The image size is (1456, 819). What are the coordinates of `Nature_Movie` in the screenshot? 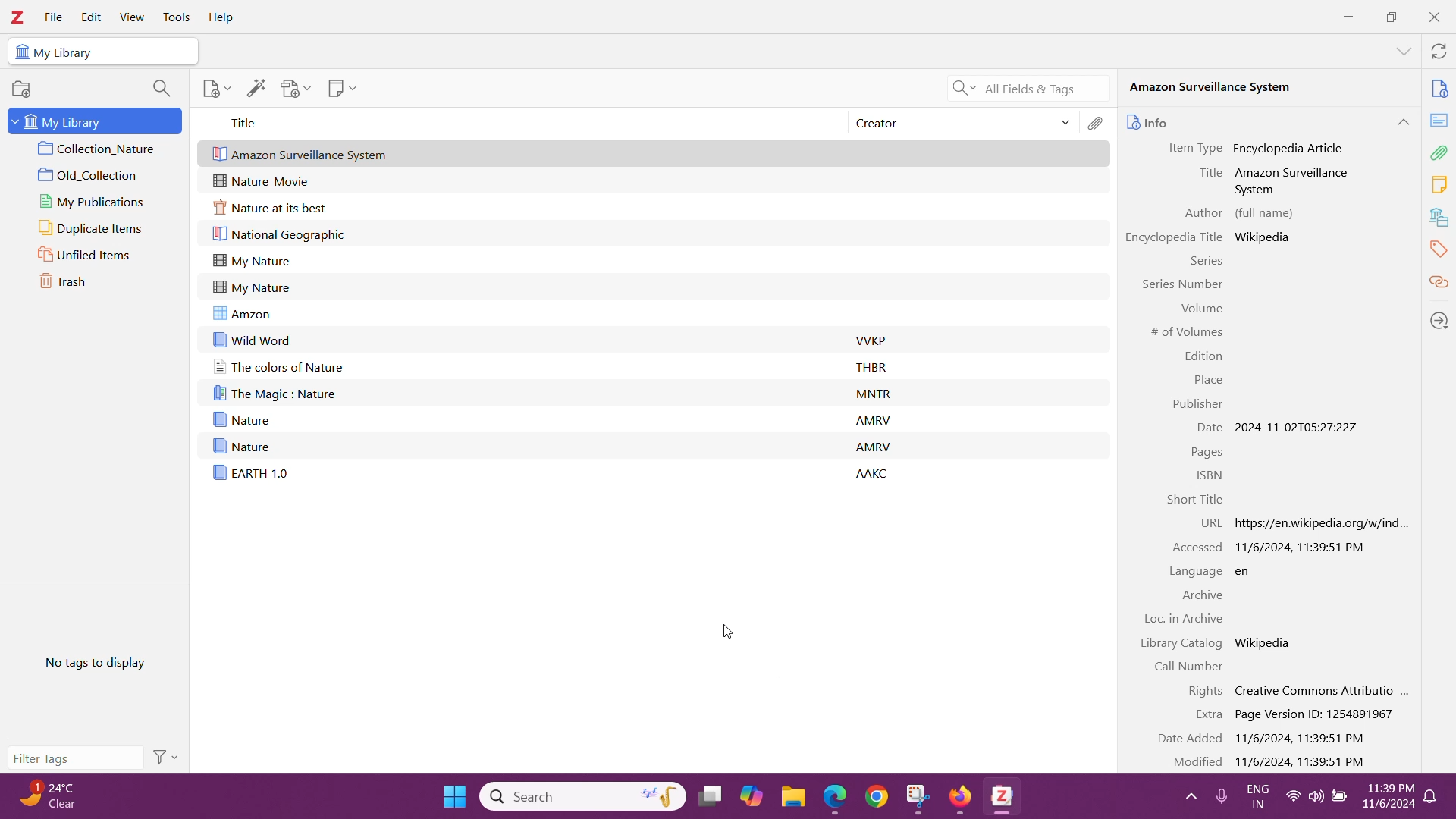 It's located at (260, 181).